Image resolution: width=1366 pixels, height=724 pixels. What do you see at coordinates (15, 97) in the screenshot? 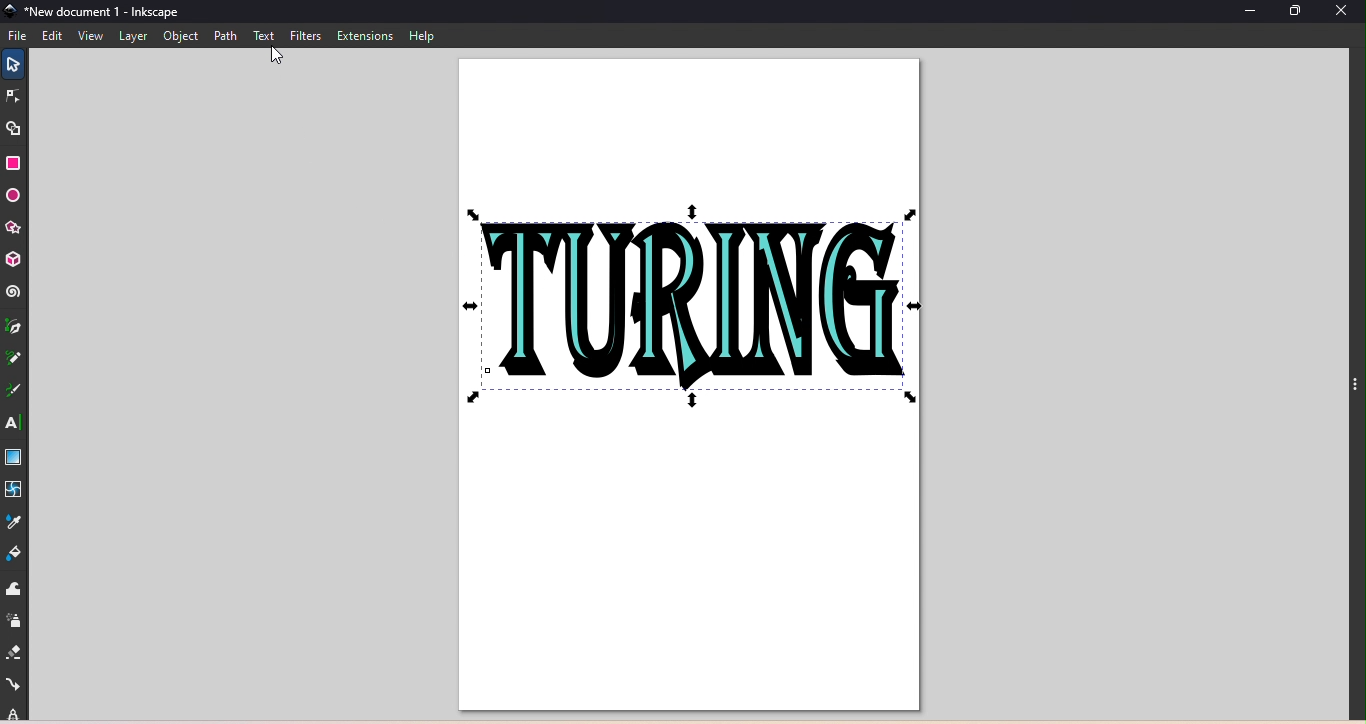
I see `Node tool` at bounding box center [15, 97].